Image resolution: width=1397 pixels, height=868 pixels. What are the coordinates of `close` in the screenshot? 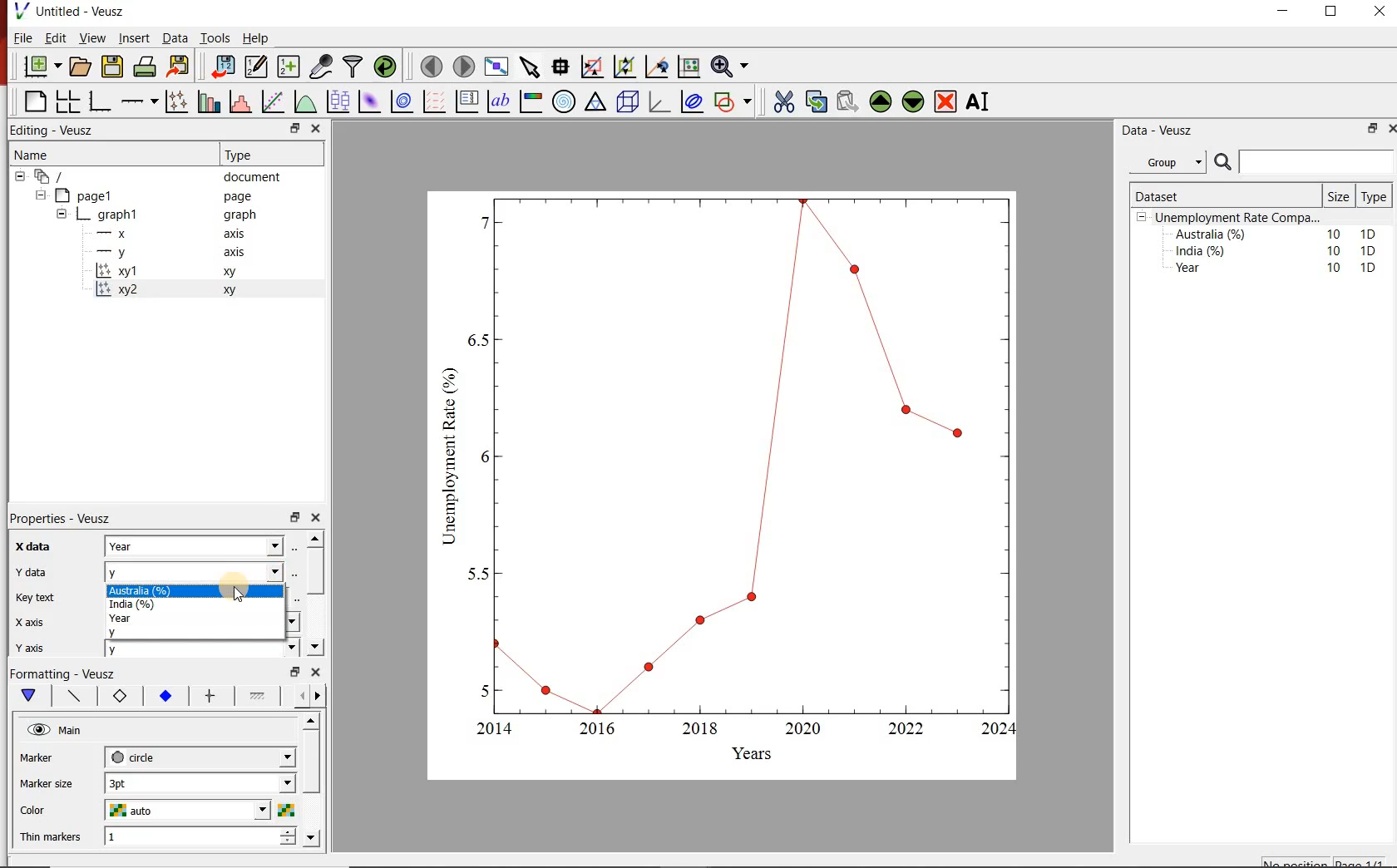 It's located at (317, 672).